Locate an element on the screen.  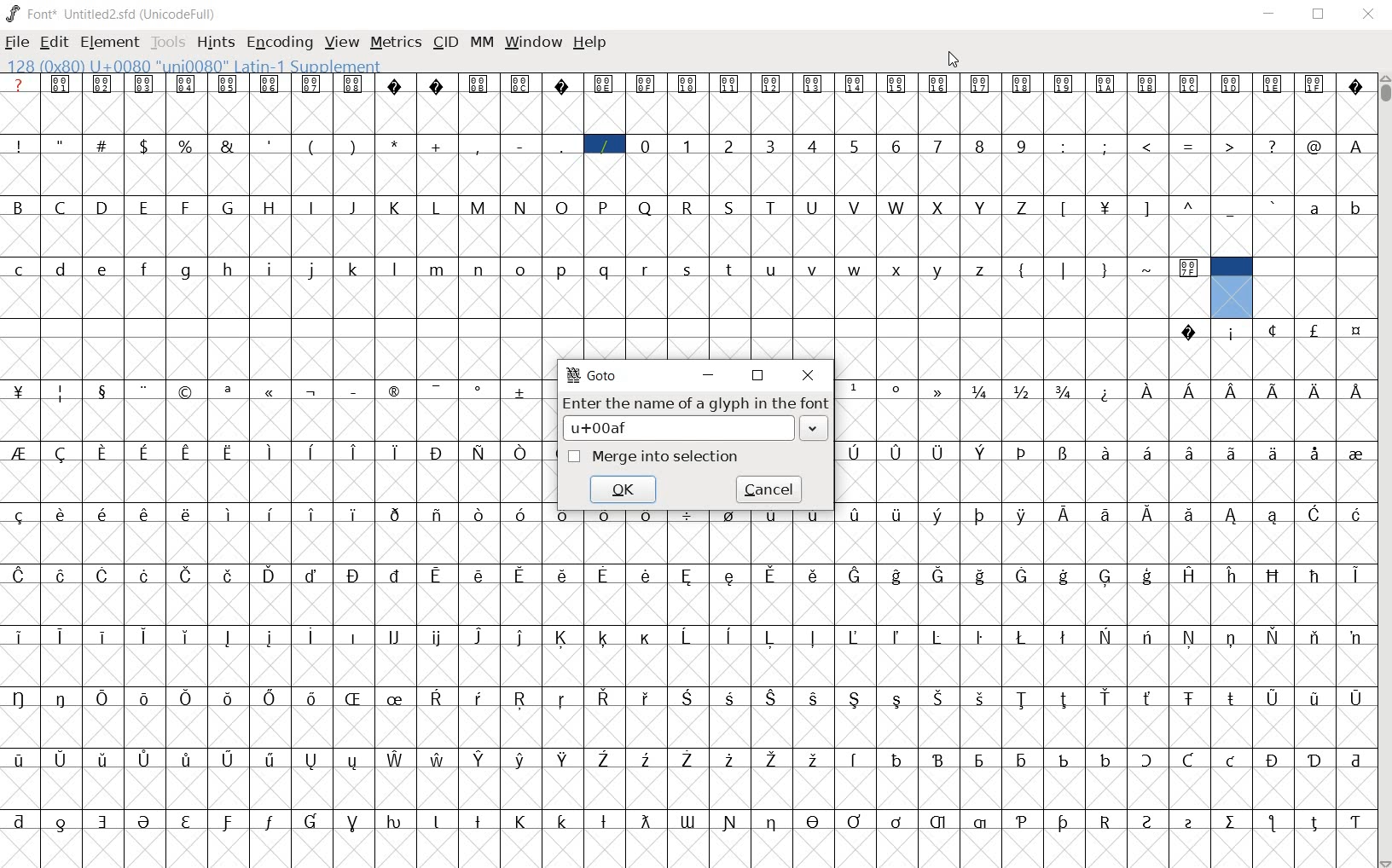
Symbol is located at coordinates (20, 574).